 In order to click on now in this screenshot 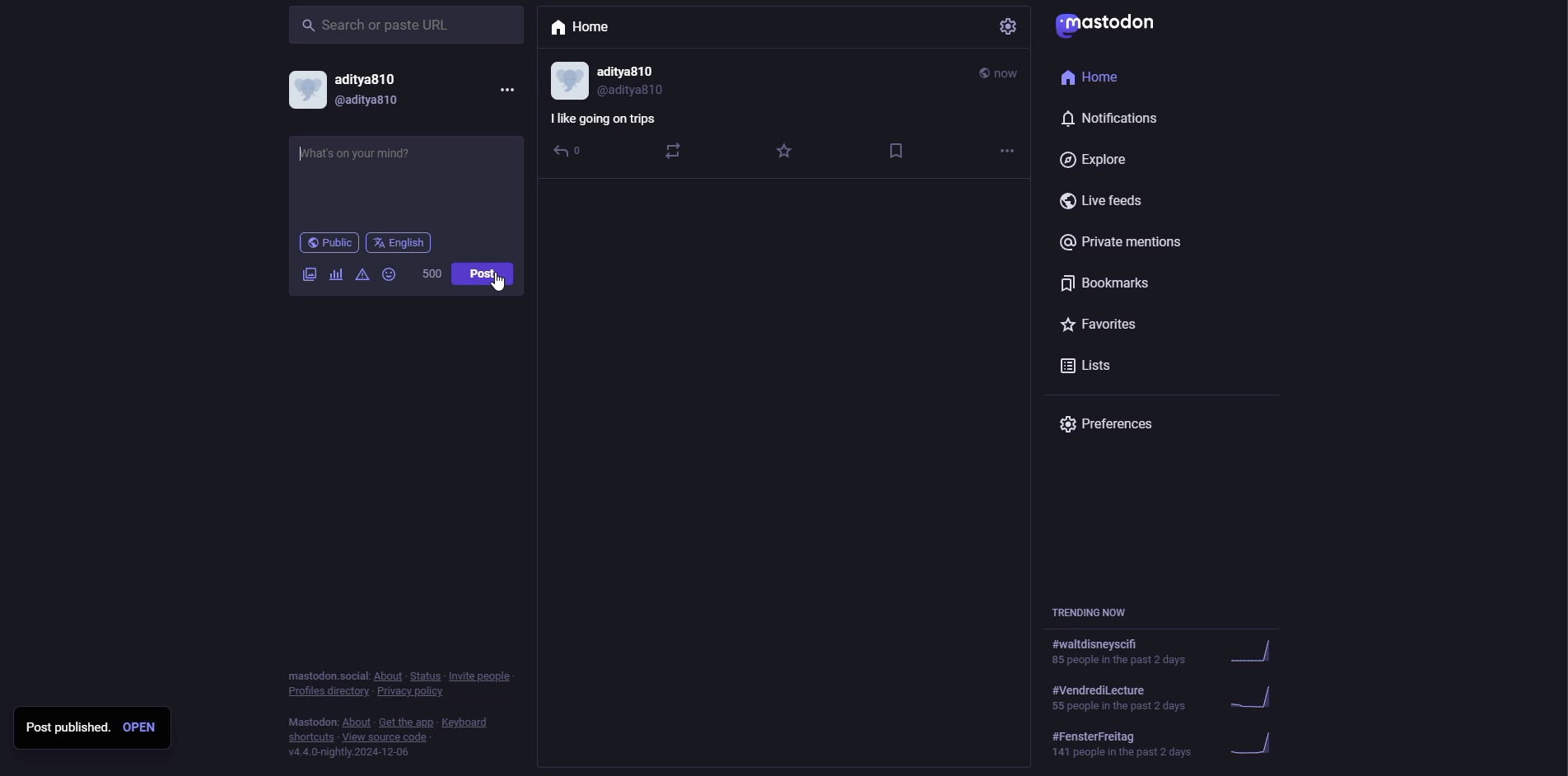, I will do `click(1001, 72)`.